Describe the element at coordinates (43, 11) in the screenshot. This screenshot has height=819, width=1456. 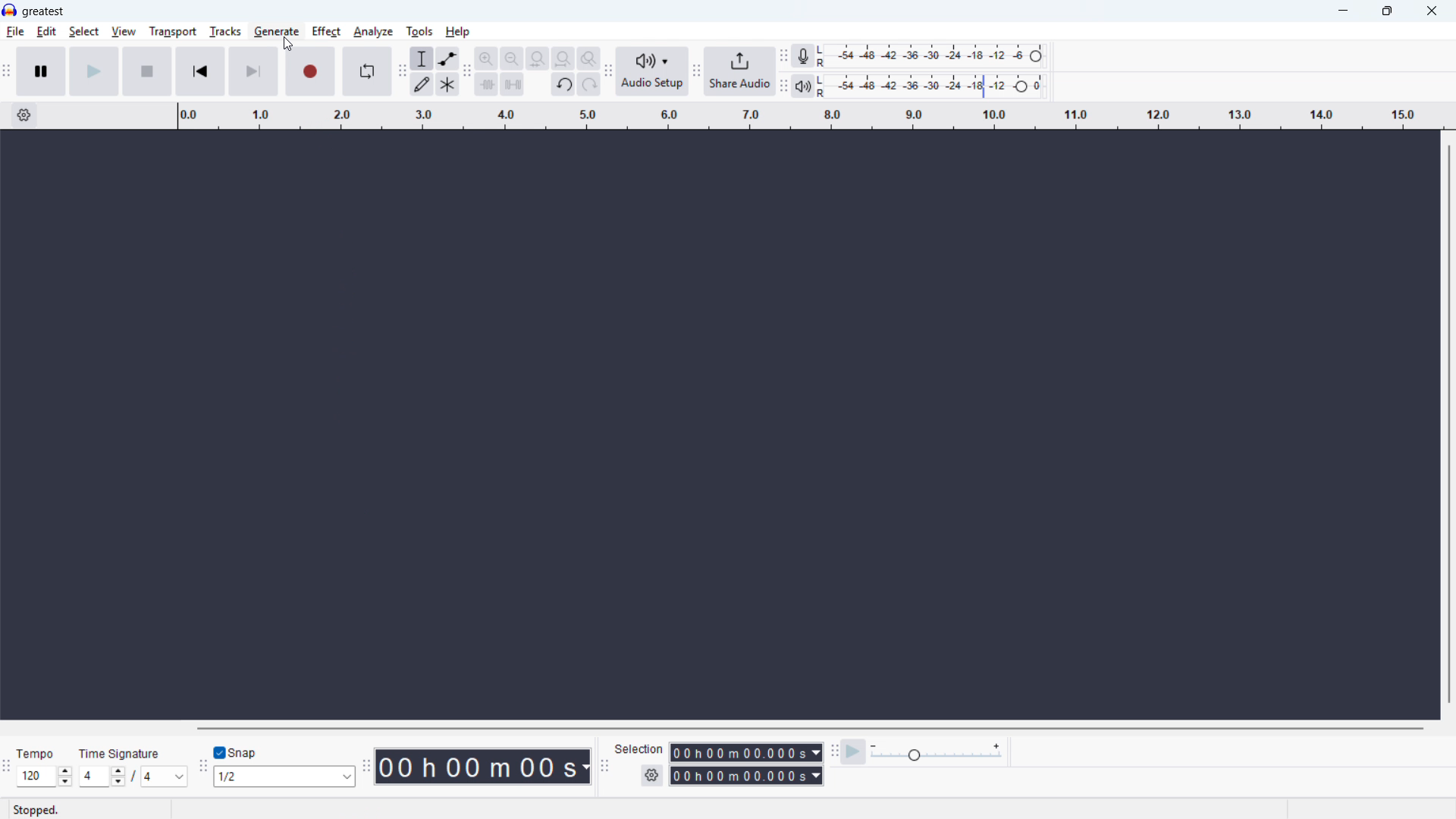
I see `greatest` at that location.